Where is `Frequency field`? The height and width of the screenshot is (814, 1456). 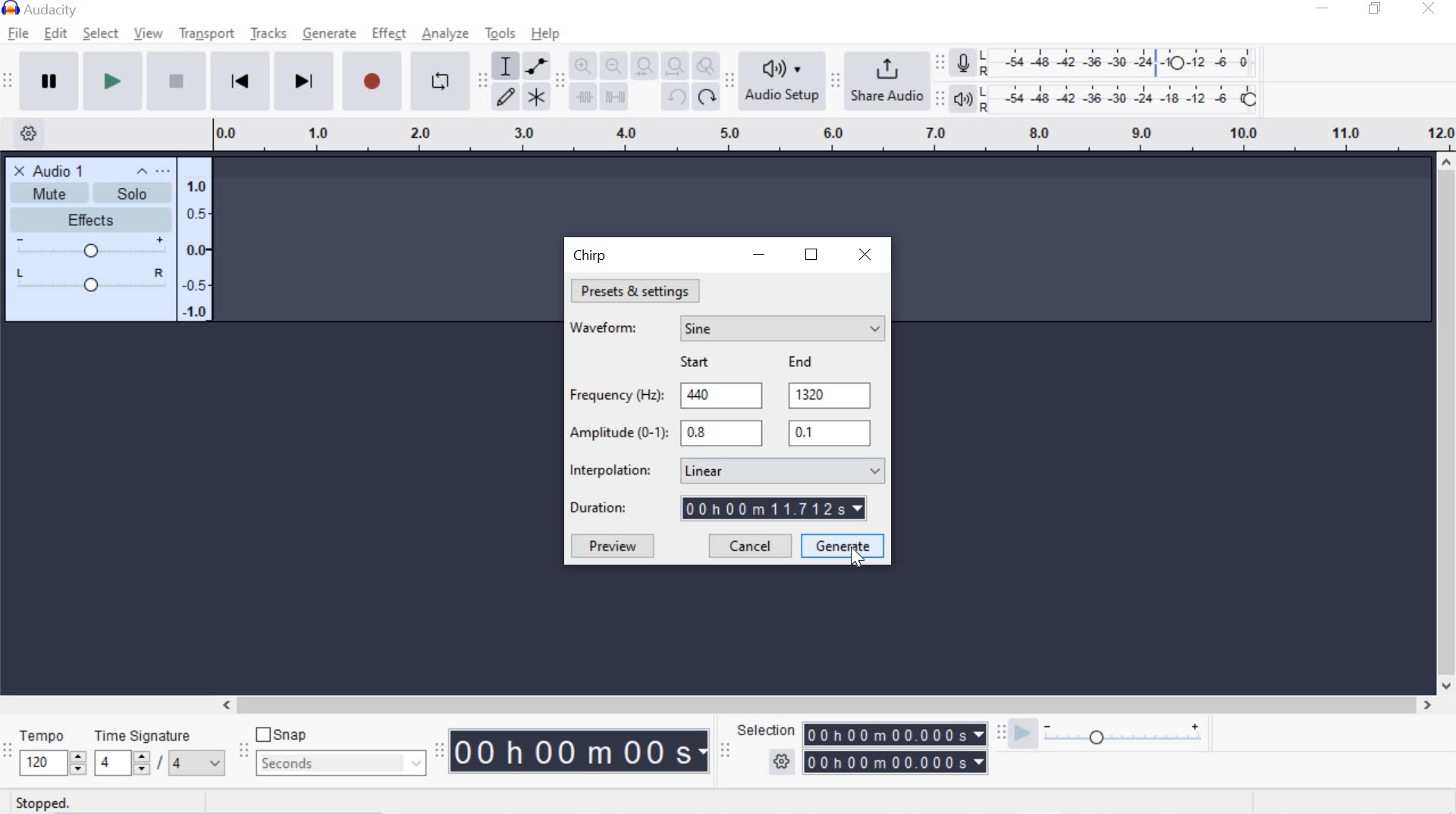 Frequency field is located at coordinates (832, 395).